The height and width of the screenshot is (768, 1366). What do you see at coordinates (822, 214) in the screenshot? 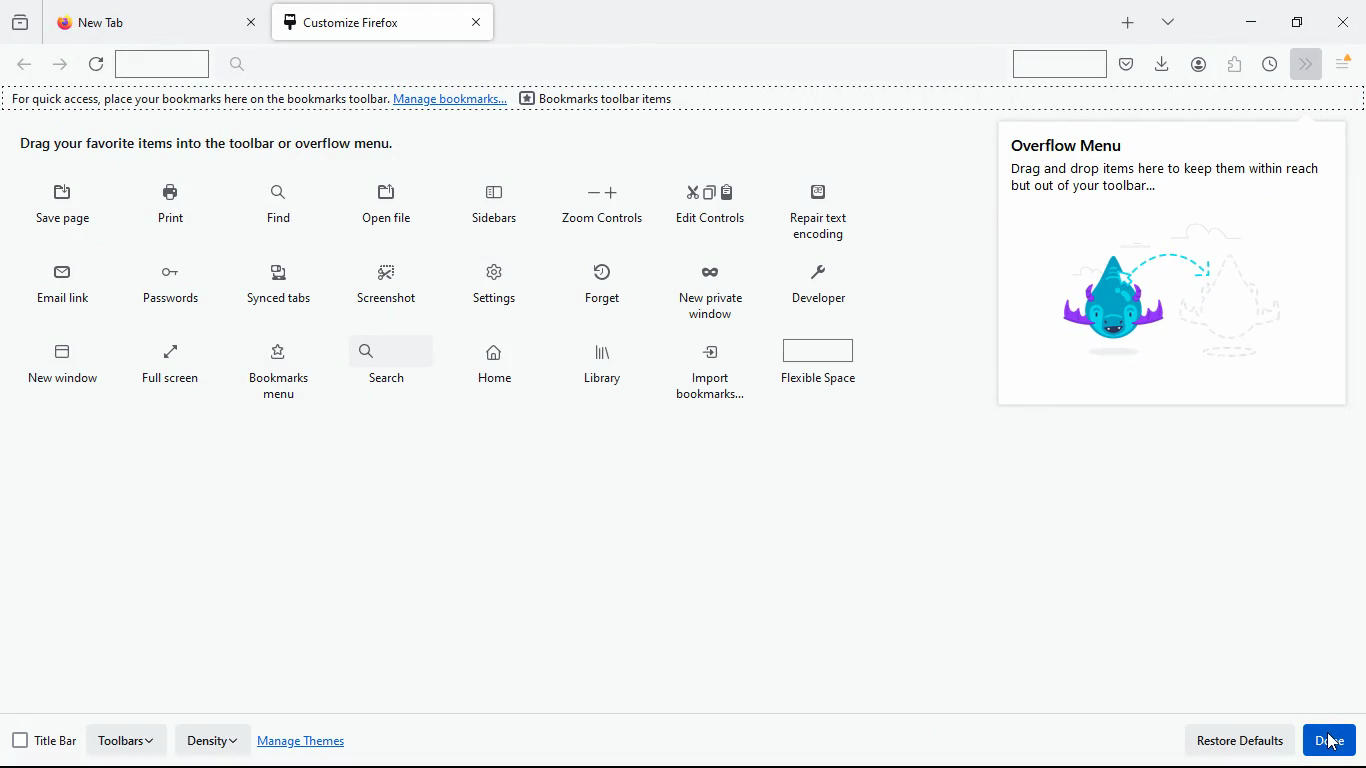
I see `edit controls` at bounding box center [822, 214].